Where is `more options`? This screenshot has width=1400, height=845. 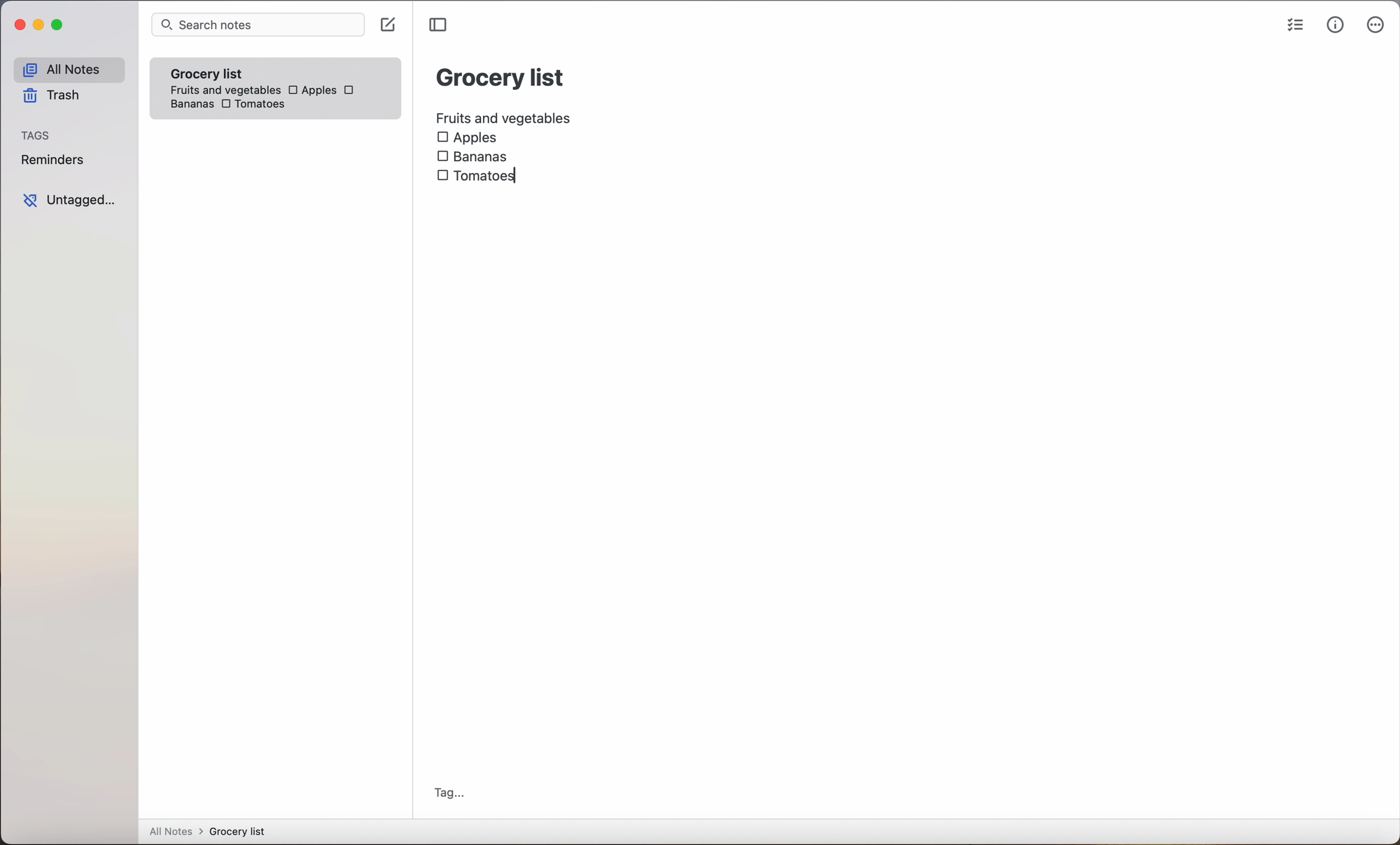 more options is located at coordinates (1376, 27).